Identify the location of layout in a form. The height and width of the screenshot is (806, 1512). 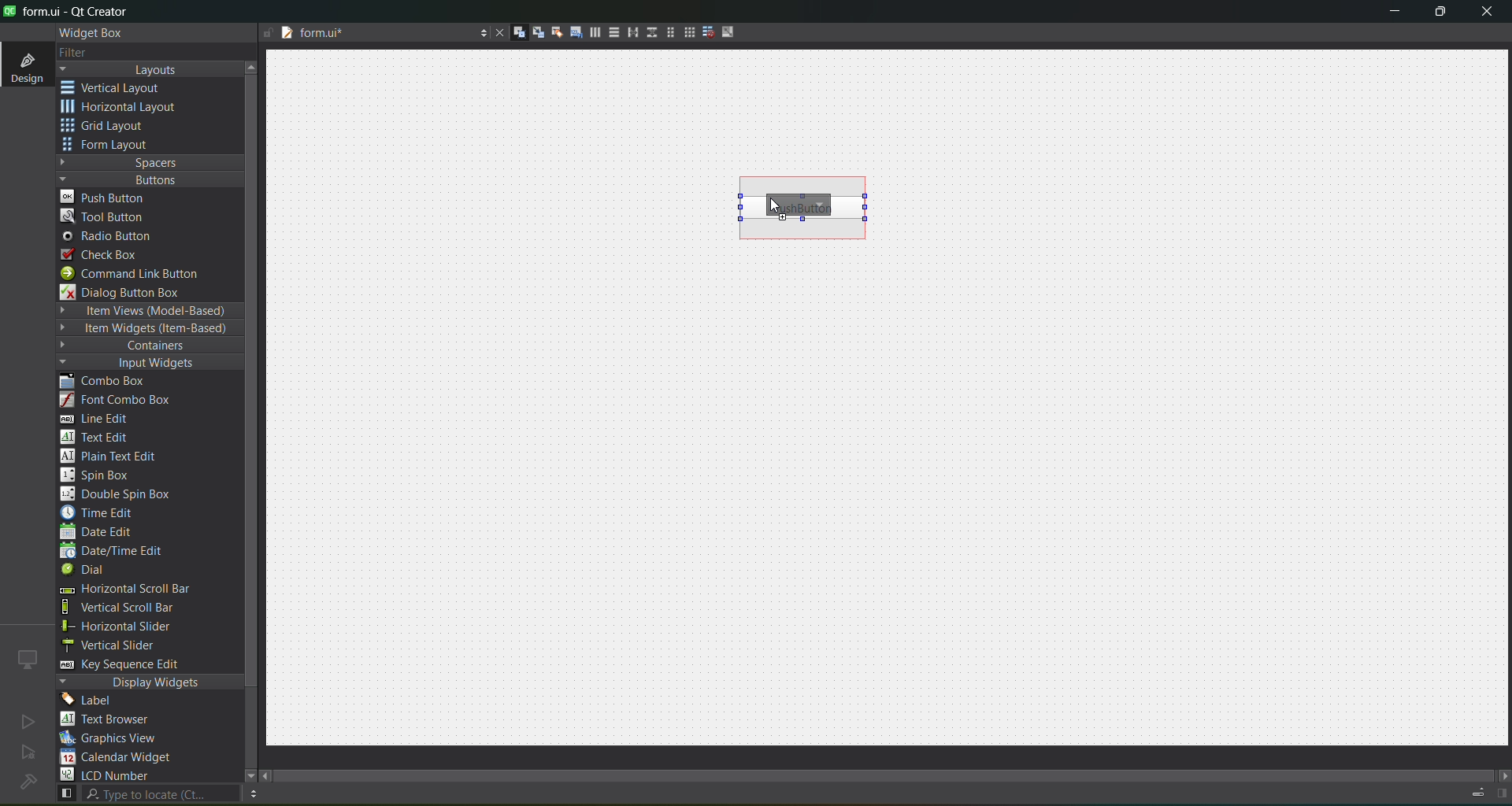
(665, 32).